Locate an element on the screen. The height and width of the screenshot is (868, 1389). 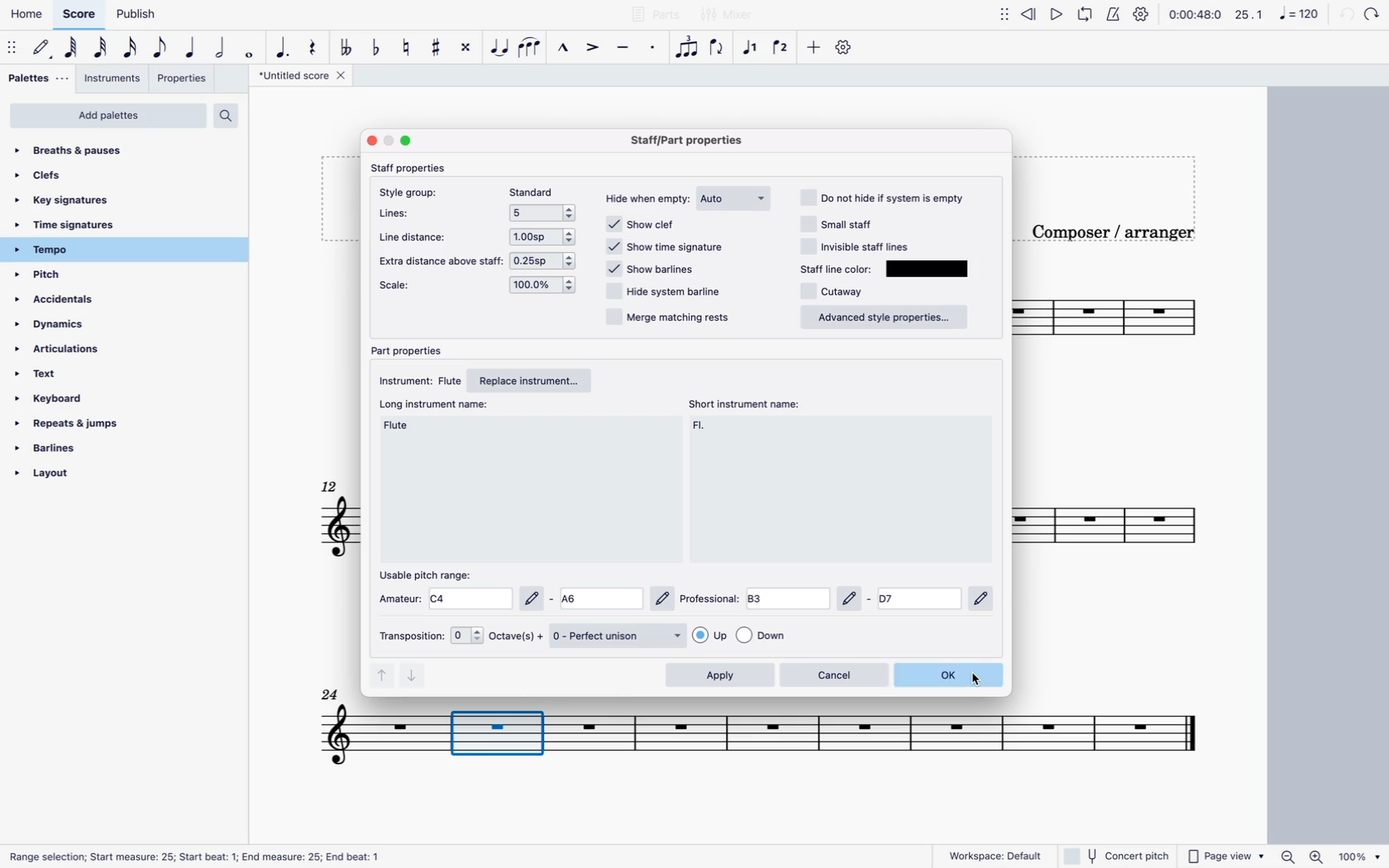
home is located at coordinates (29, 16).